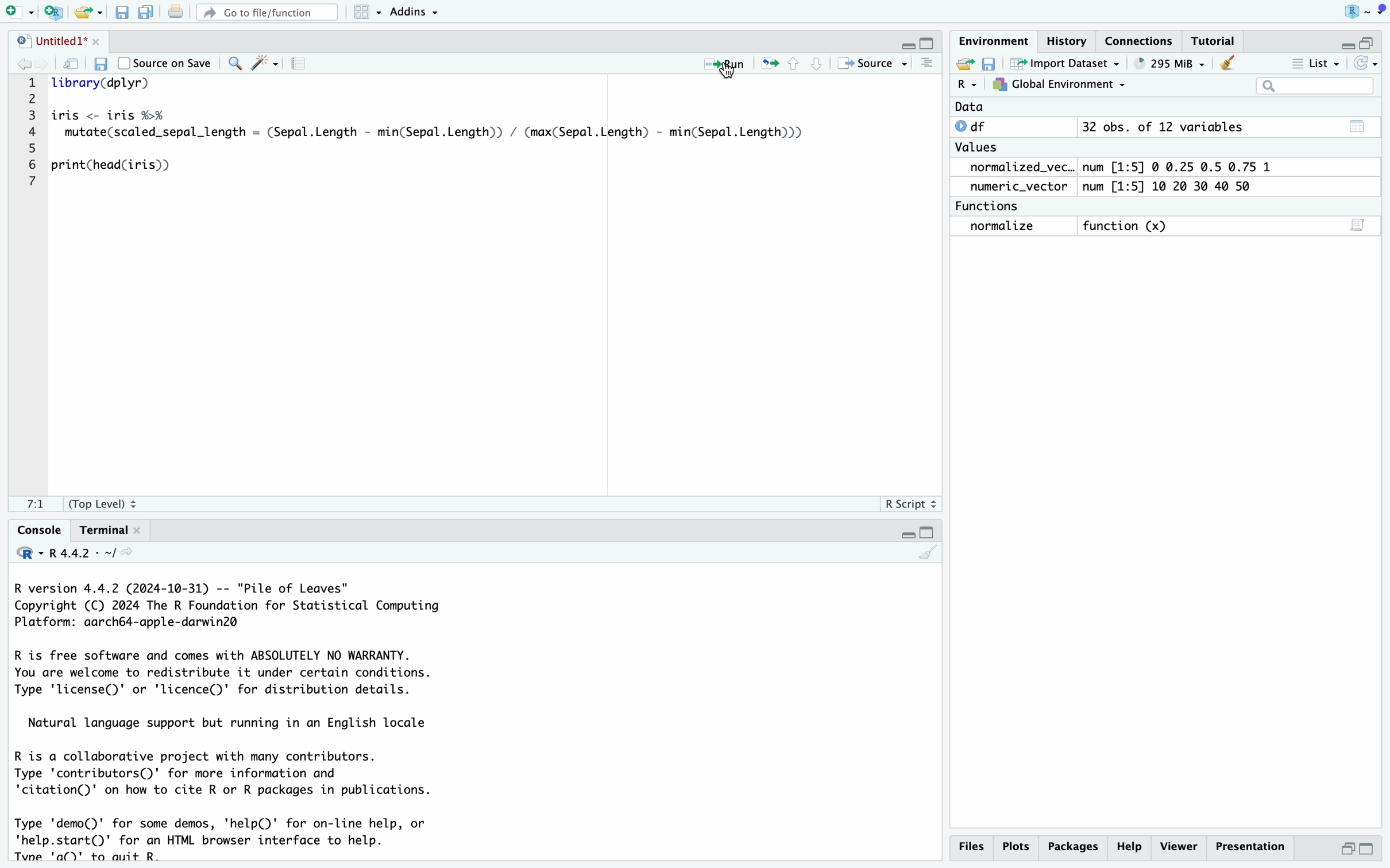 The image size is (1390, 868). What do you see at coordinates (970, 107) in the screenshot?
I see `Data` at bounding box center [970, 107].